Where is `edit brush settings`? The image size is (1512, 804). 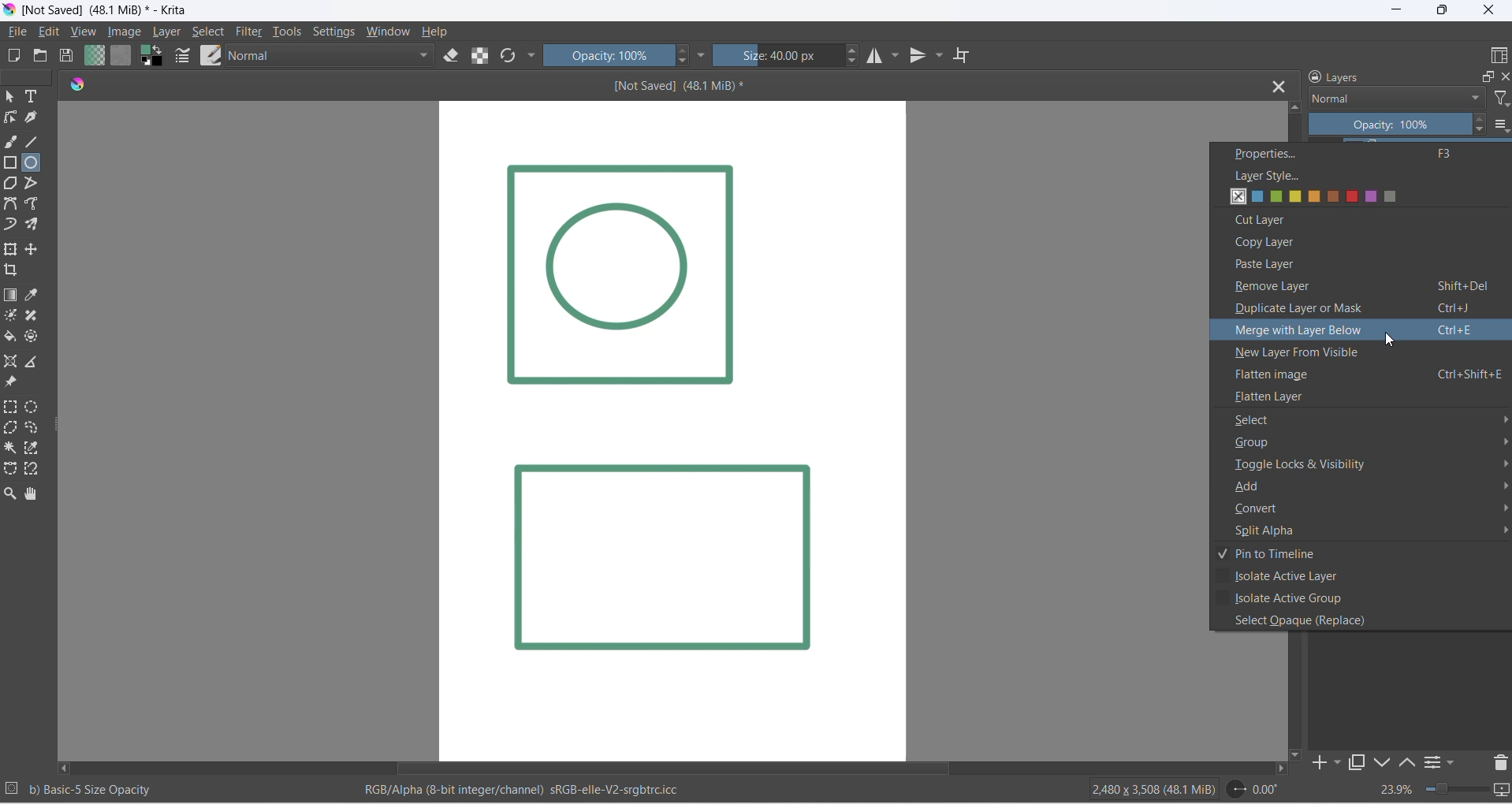
edit brush settings is located at coordinates (184, 58).